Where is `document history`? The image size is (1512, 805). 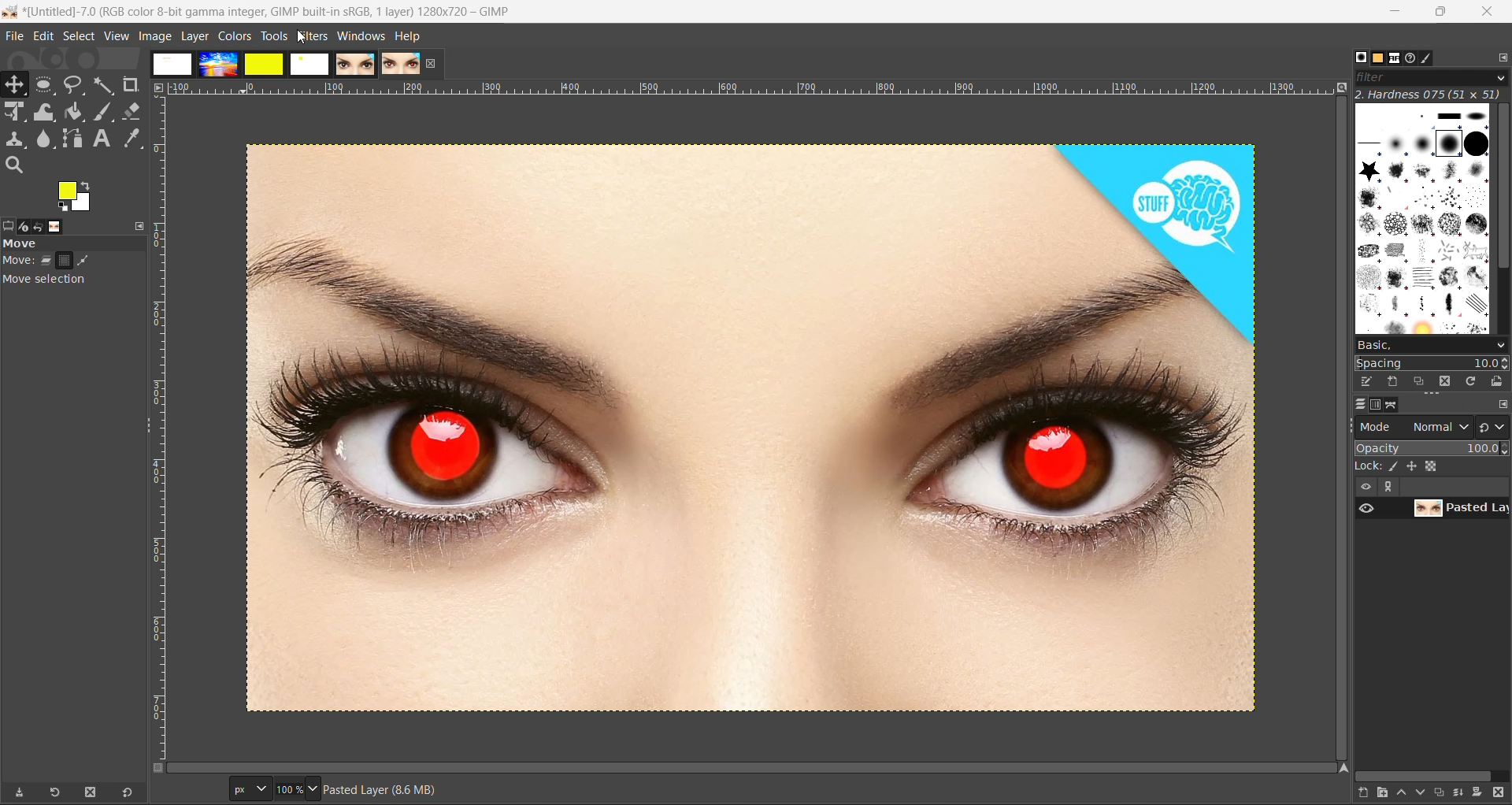 document history is located at coordinates (1412, 58).